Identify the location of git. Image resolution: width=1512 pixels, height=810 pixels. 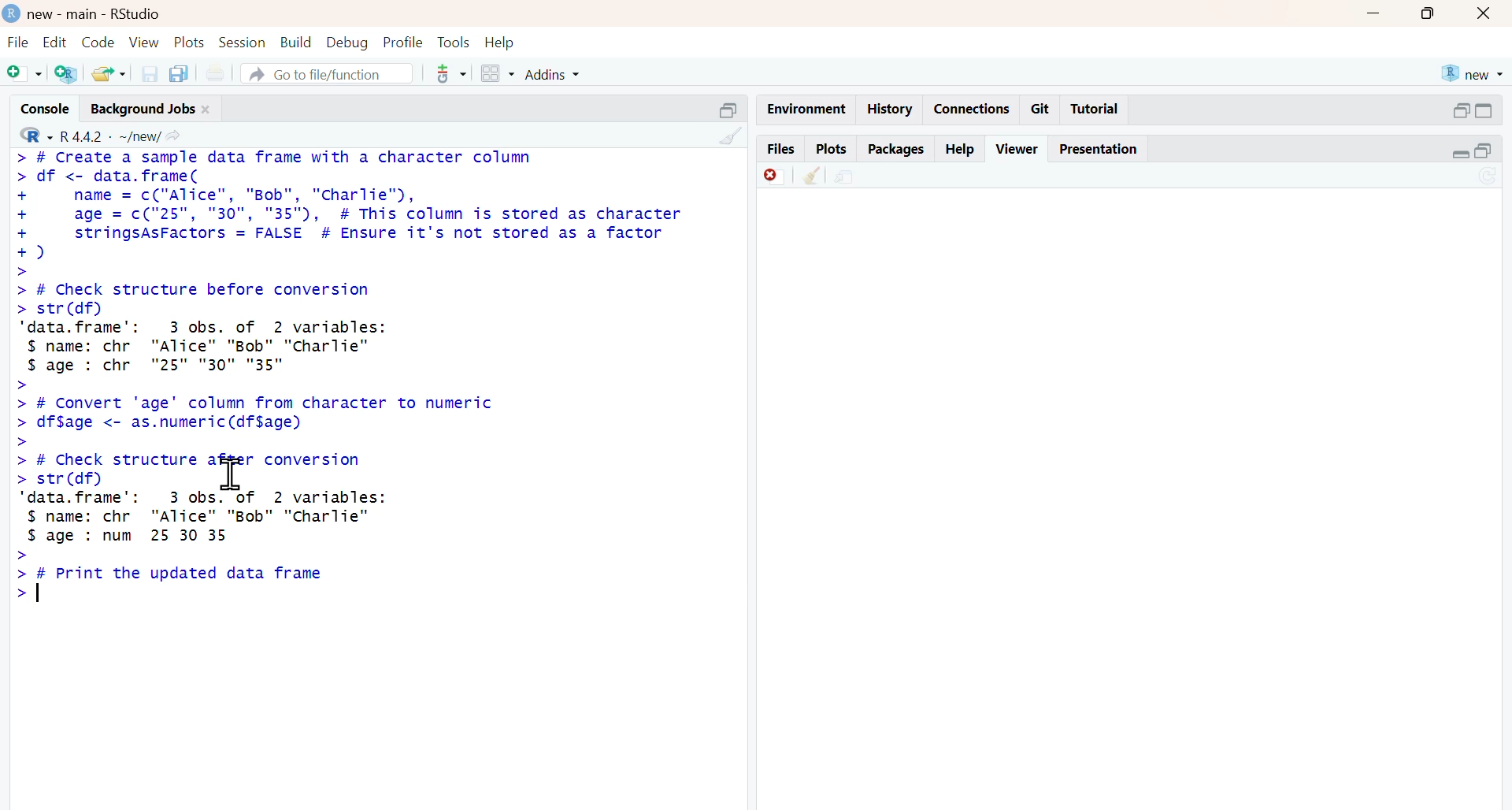
(1039, 109).